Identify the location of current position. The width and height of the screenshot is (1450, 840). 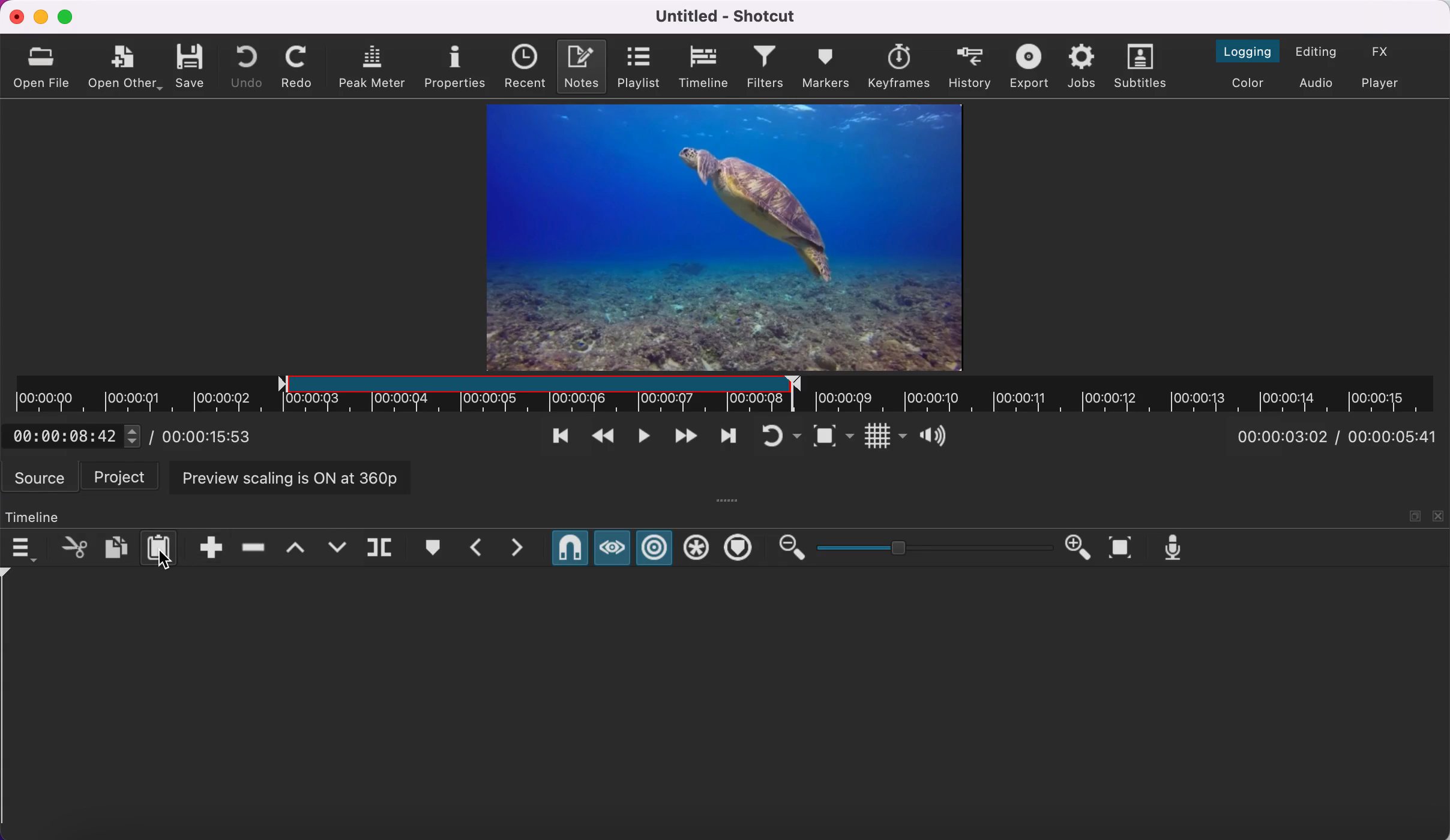
(1287, 436).